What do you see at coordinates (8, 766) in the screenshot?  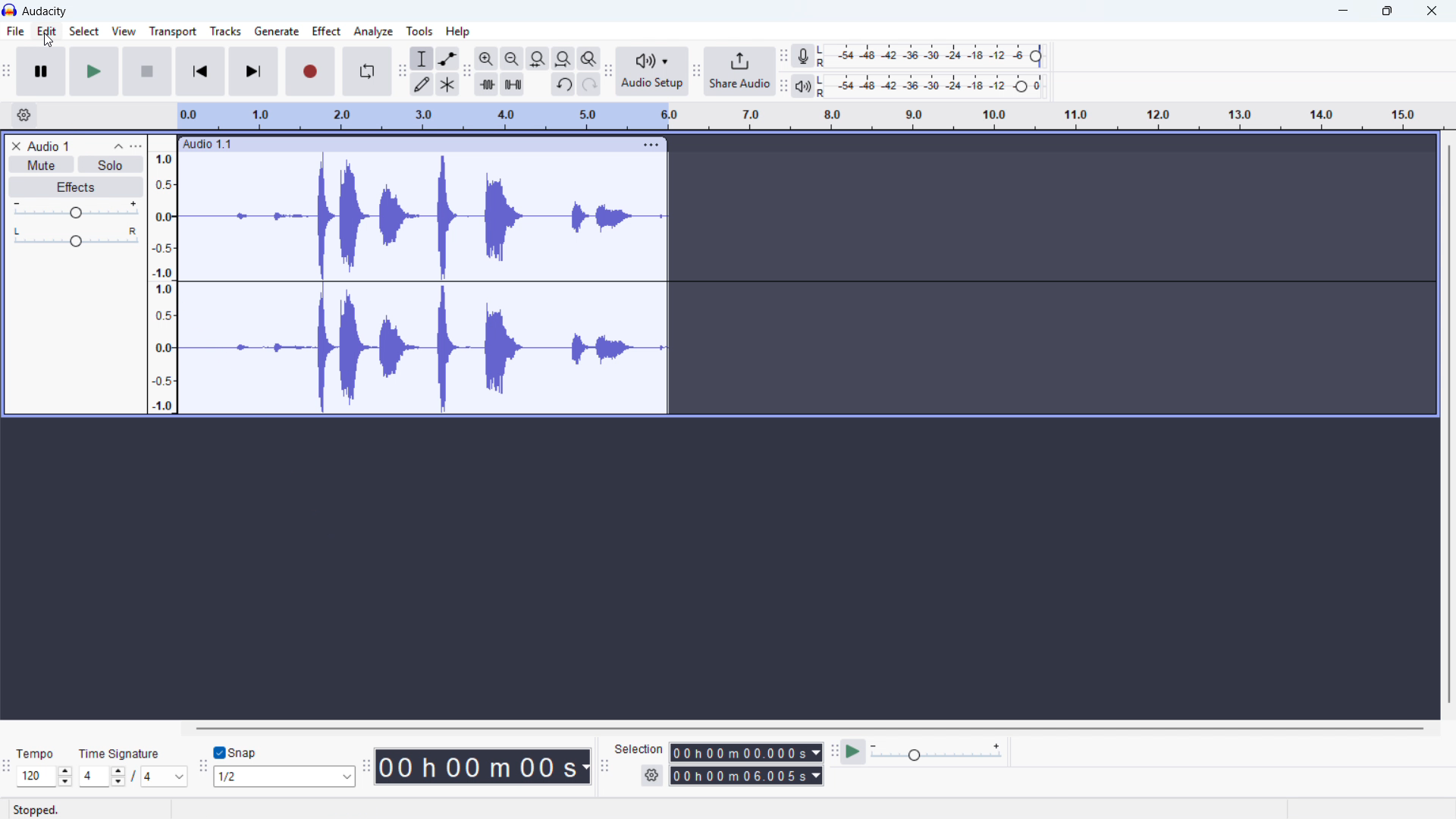 I see `time signature toolbar` at bounding box center [8, 766].